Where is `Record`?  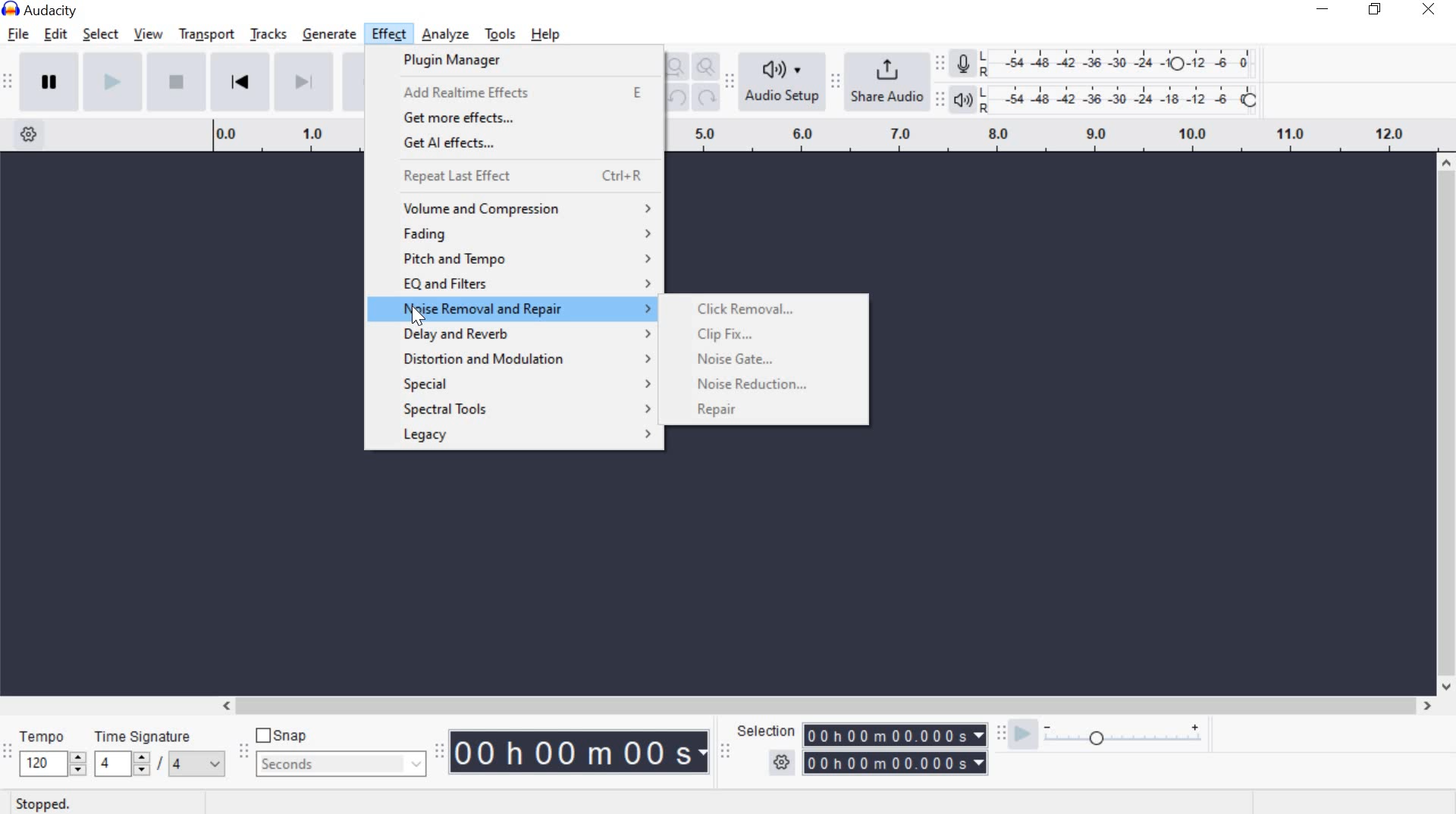
Record is located at coordinates (369, 83).